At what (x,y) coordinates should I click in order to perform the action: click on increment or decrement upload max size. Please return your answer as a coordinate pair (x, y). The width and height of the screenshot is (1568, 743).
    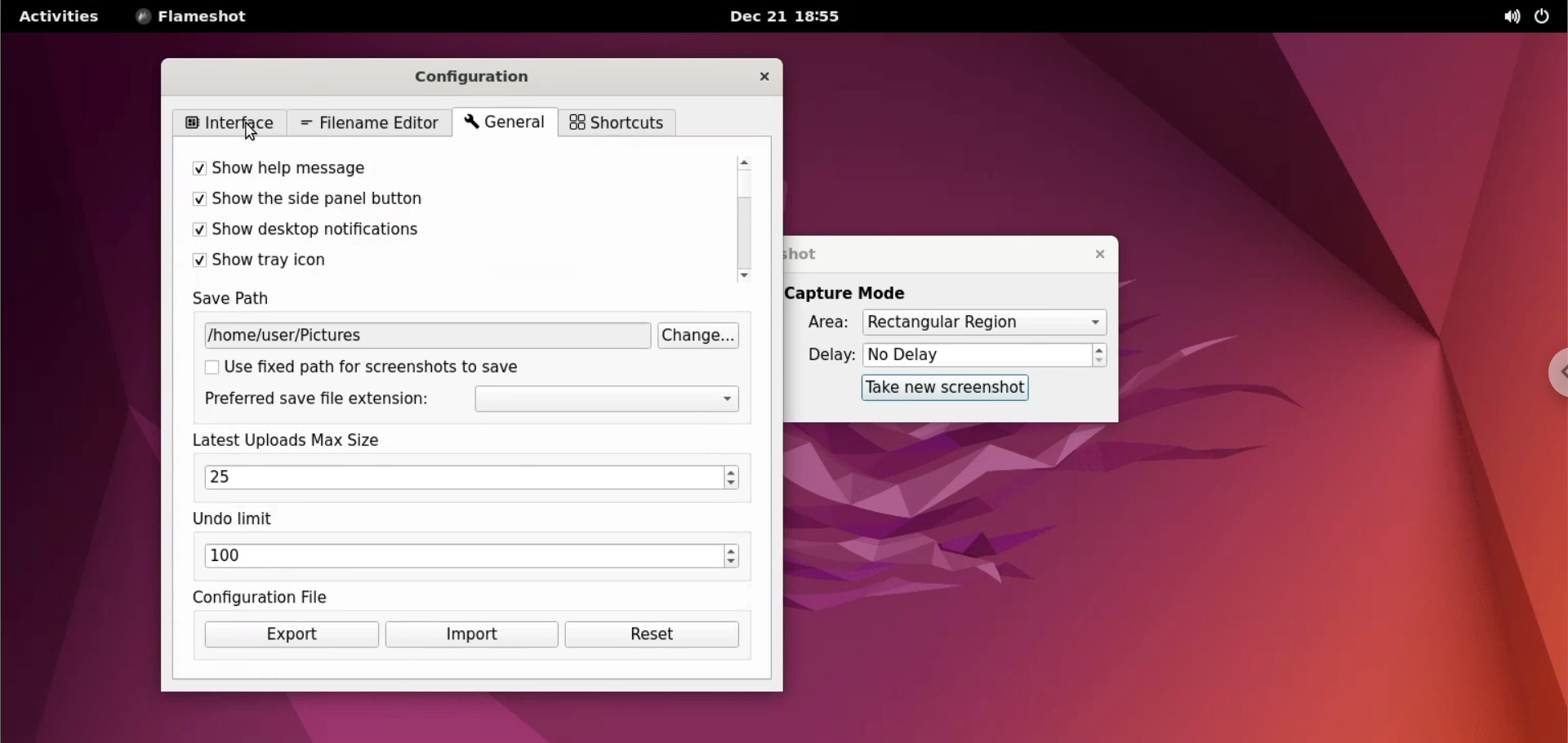
    Looking at the image, I should click on (733, 477).